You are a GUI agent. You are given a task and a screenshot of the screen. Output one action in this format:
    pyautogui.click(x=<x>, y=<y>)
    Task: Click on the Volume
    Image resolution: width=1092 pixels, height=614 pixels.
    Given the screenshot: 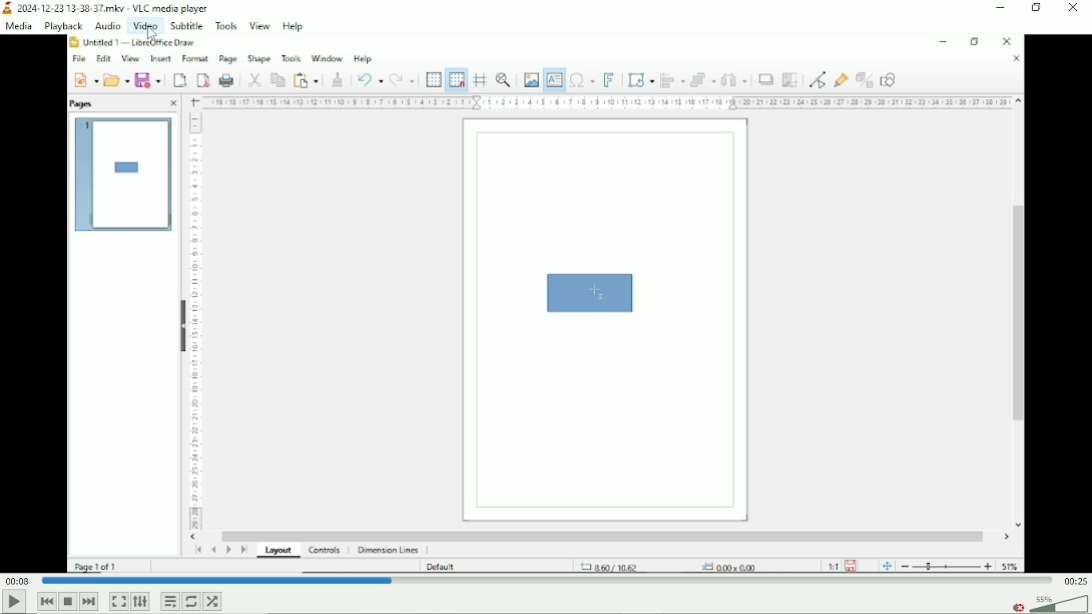 What is the action you would take?
    pyautogui.click(x=1049, y=604)
    